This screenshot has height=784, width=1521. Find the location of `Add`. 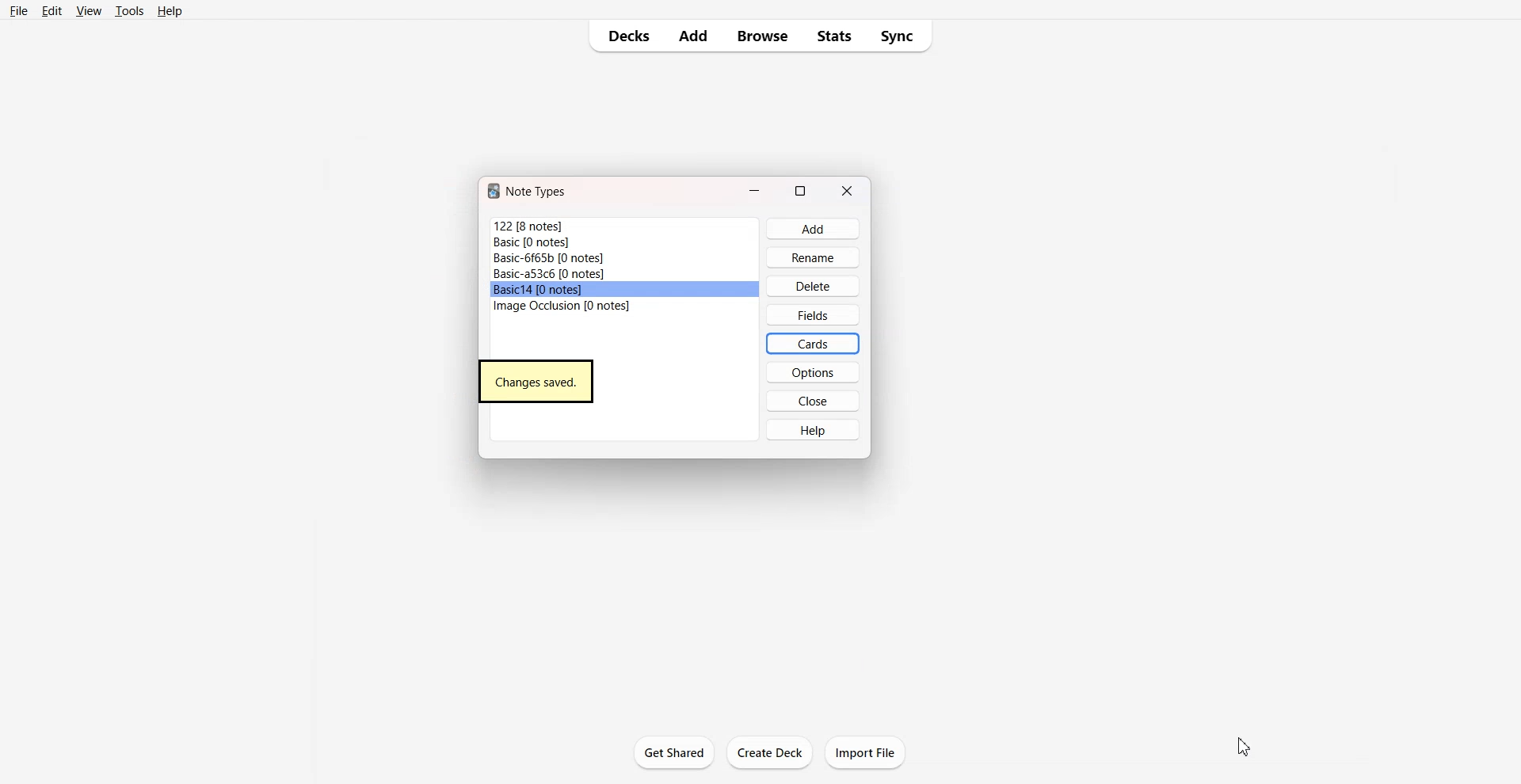

Add is located at coordinates (813, 229).